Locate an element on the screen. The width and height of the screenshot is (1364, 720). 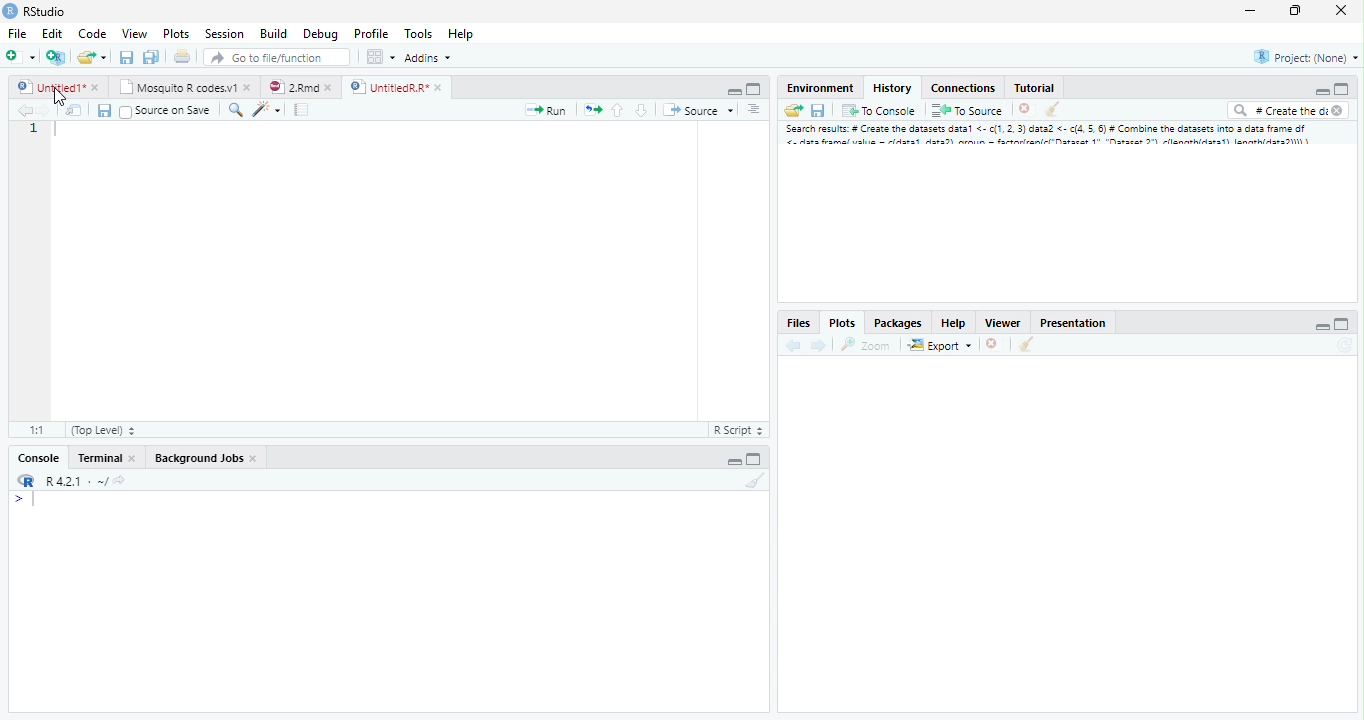
Environment is located at coordinates (819, 88).